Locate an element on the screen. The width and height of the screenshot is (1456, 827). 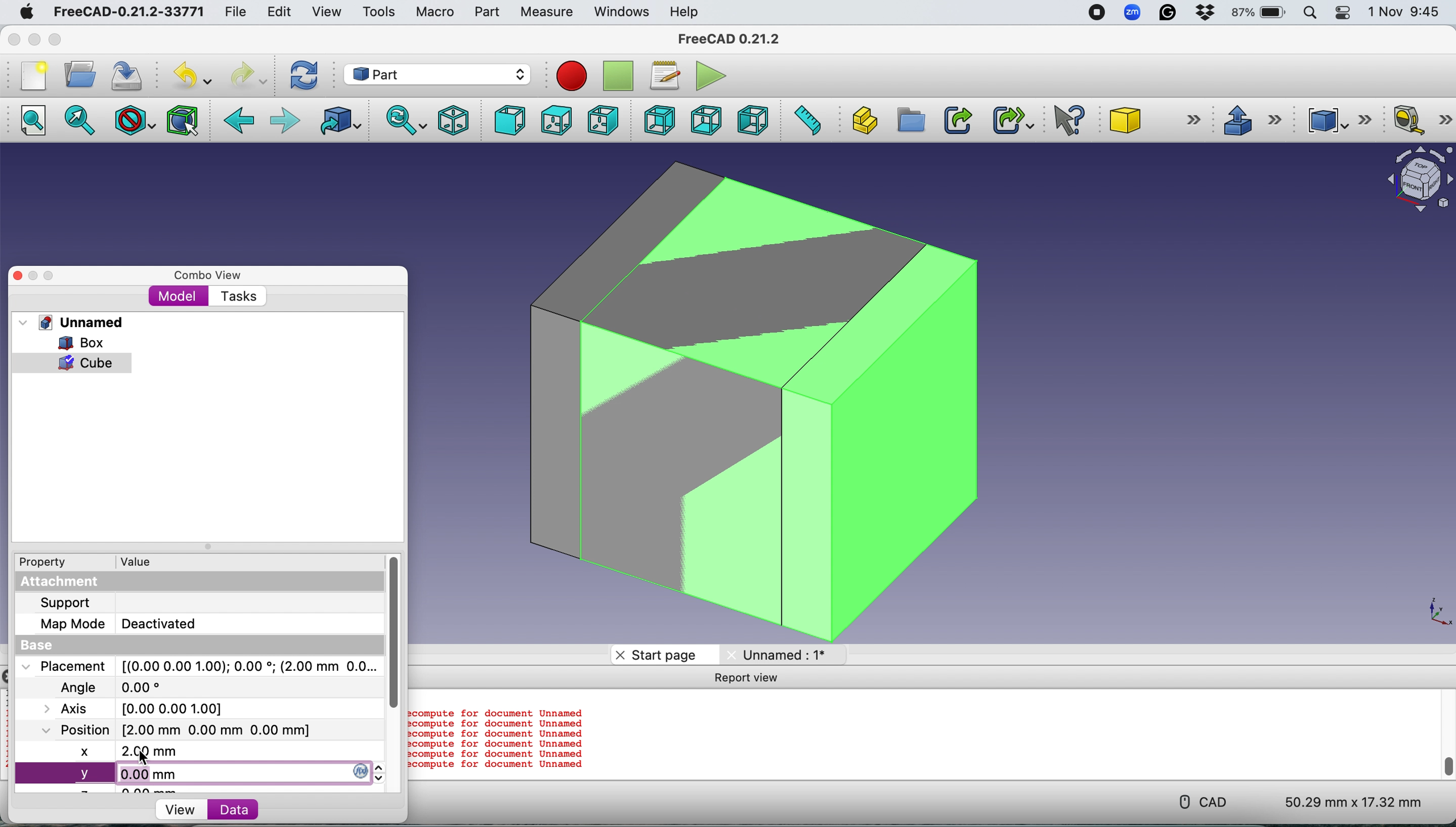
What's this? is located at coordinates (1071, 120).